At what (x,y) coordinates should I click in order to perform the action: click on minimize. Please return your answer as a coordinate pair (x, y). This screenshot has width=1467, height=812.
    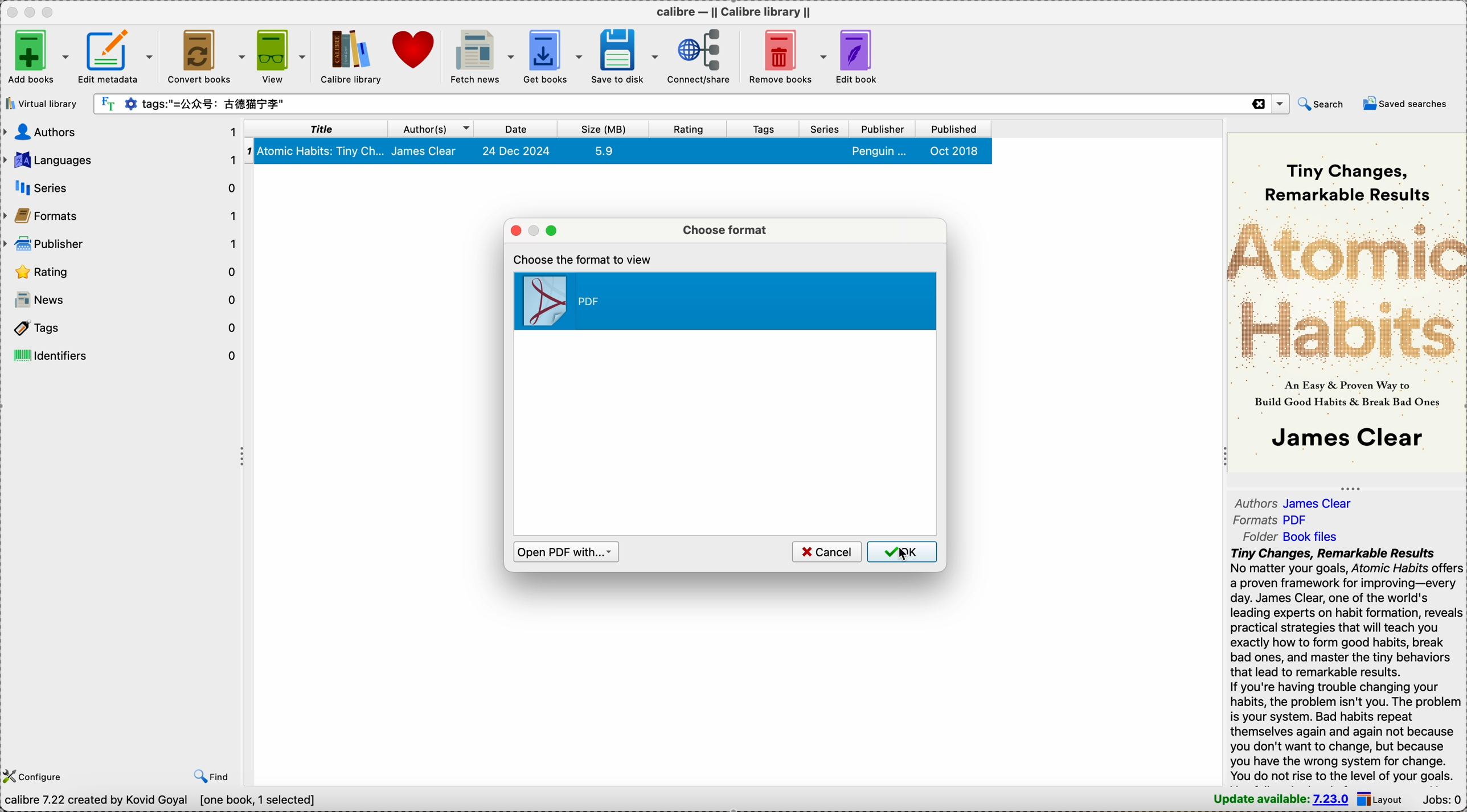
    Looking at the image, I should click on (538, 230).